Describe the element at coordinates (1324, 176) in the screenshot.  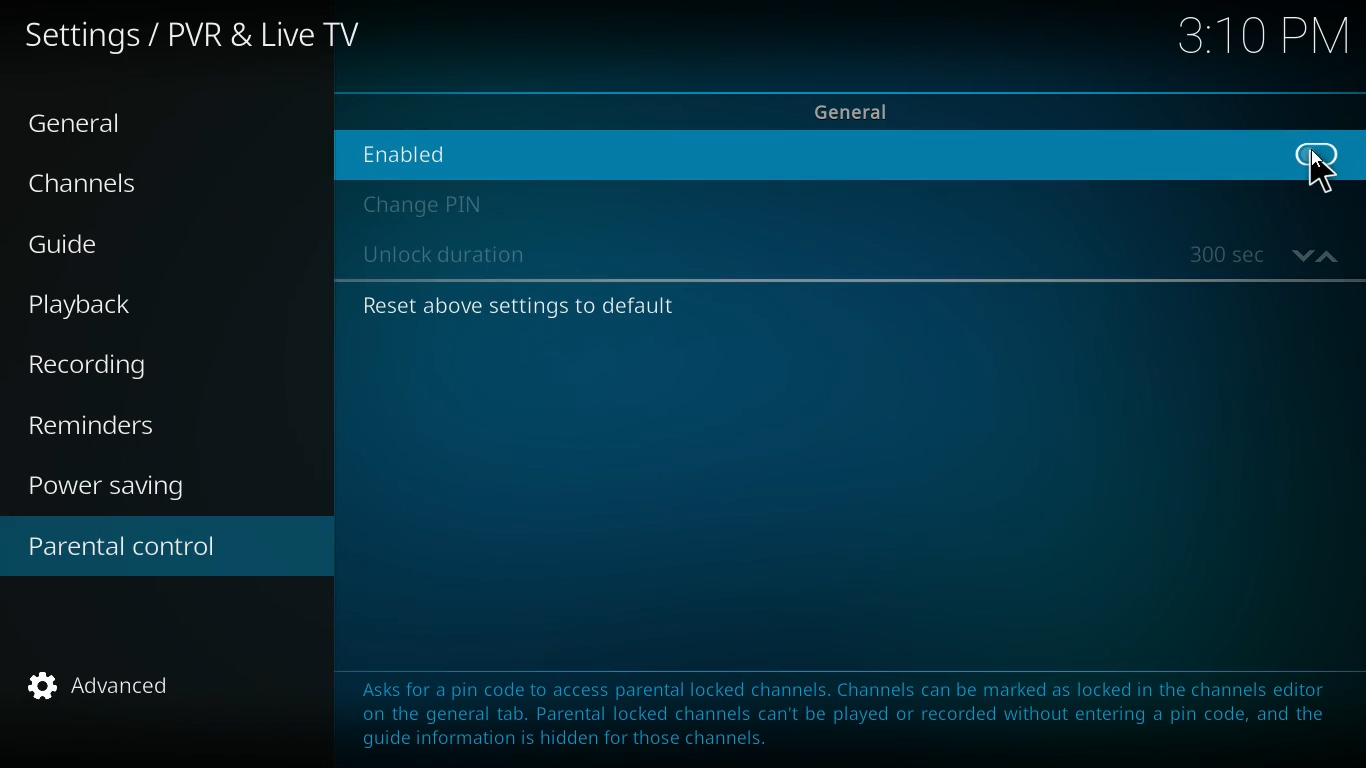
I see `cursor` at that location.